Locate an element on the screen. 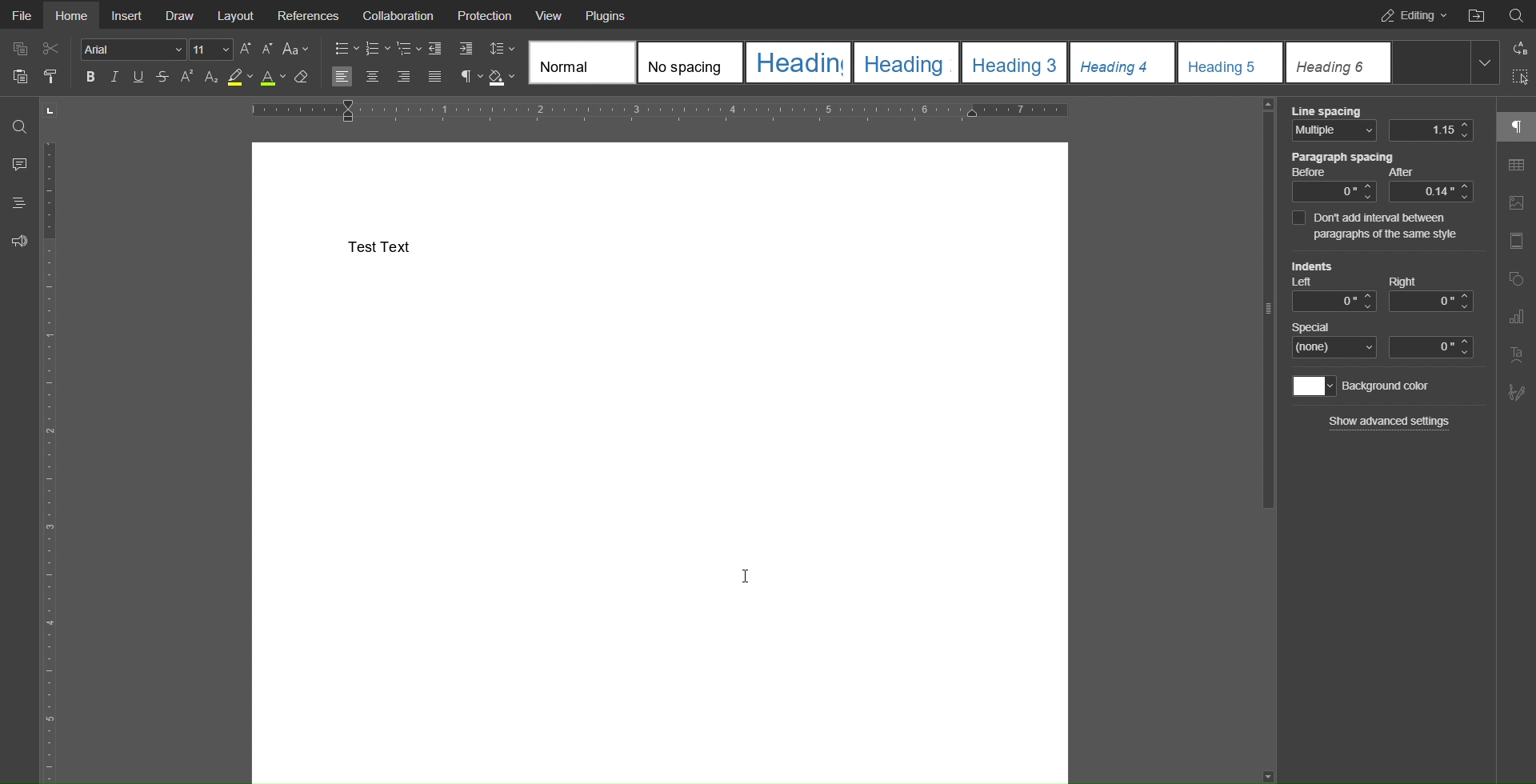 This screenshot has width=1536, height=784. View is located at coordinates (550, 14).